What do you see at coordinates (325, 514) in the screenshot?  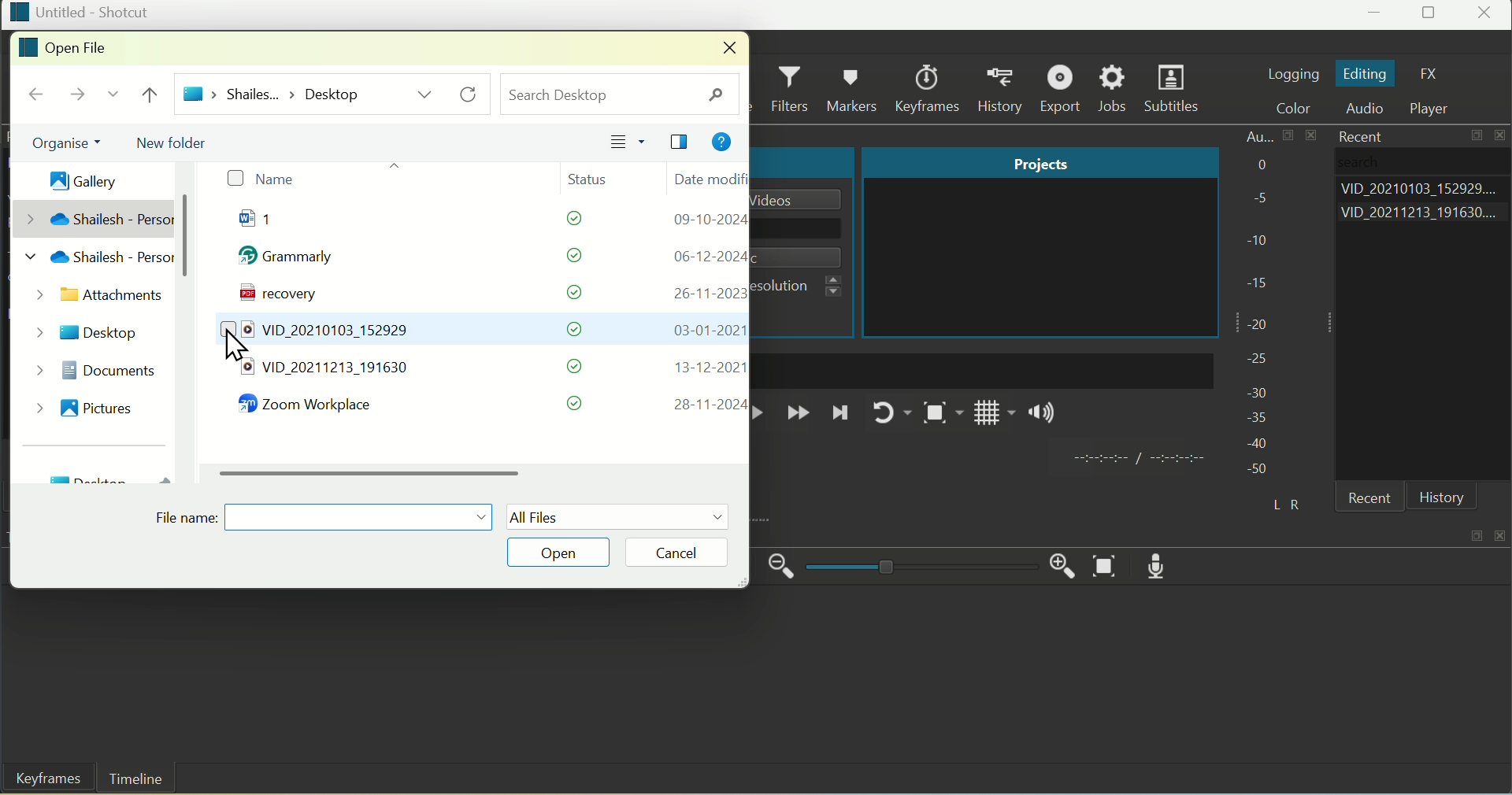 I see `File Name  ` at bounding box center [325, 514].